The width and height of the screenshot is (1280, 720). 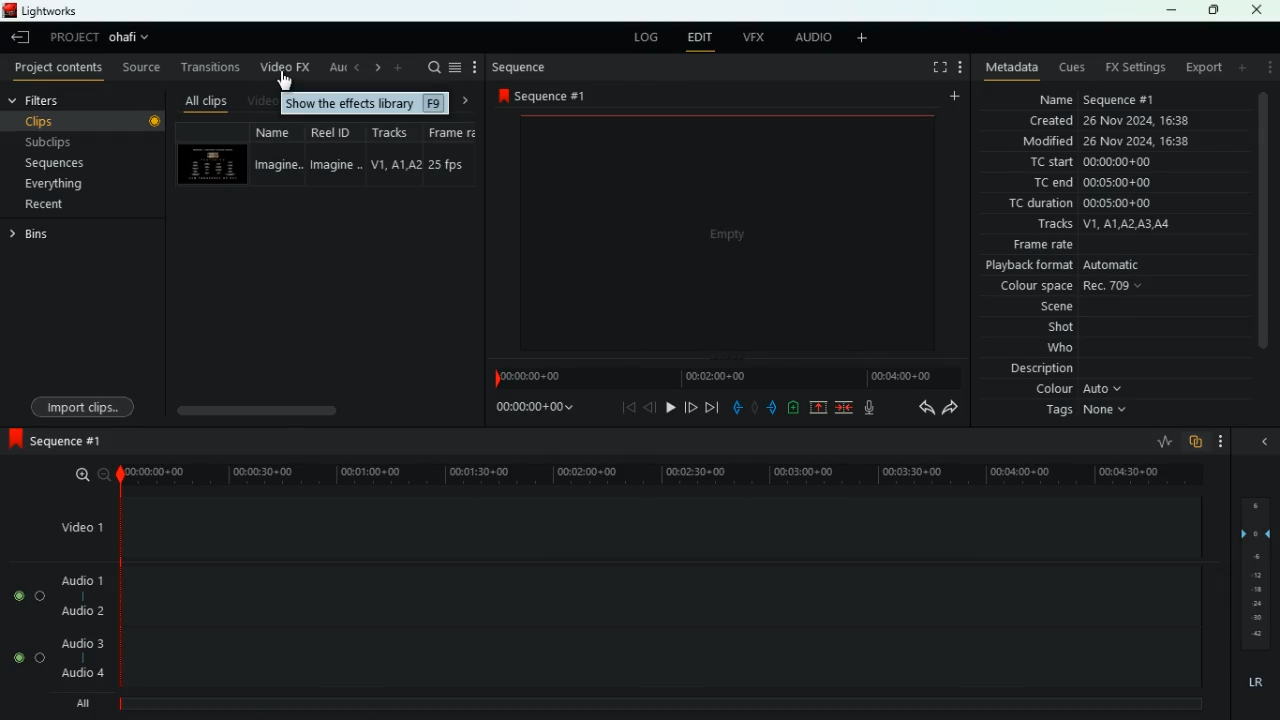 What do you see at coordinates (81, 101) in the screenshot?
I see `filters` at bounding box center [81, 101].